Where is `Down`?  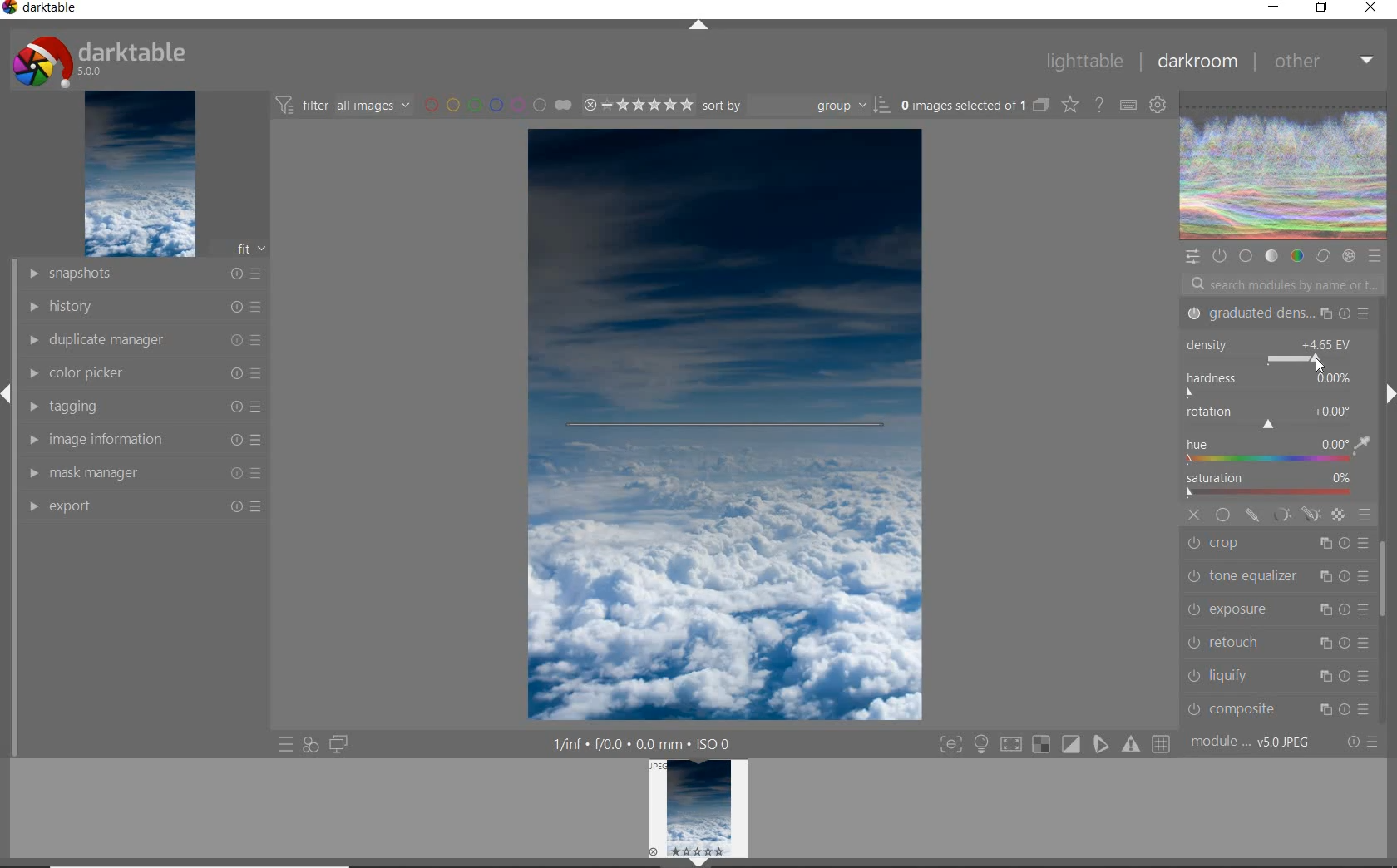 Down is located at coordinates (699, 862).